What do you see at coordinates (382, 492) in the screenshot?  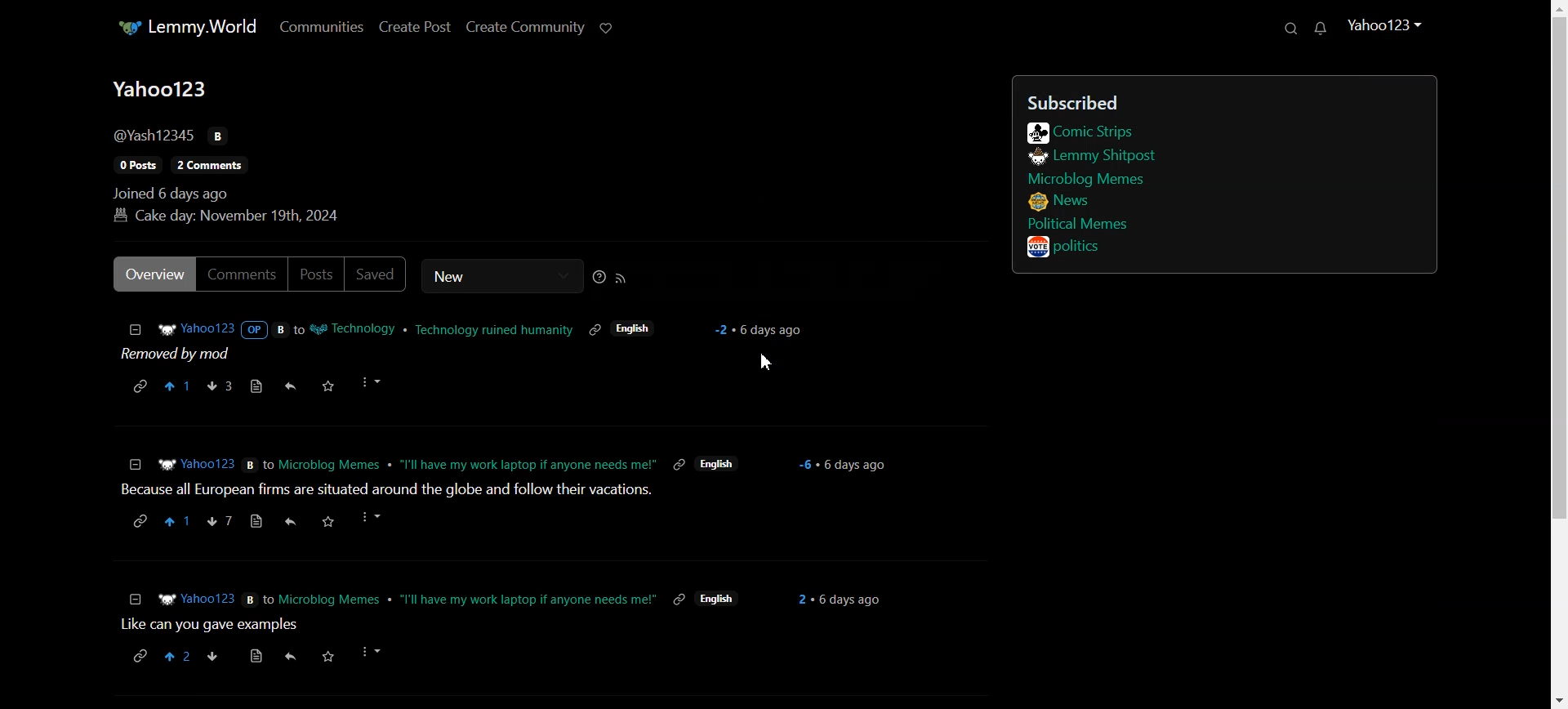 I see `Because all European firms are situated around the globe and follow their vacations.` at bounding box center [382, 492].